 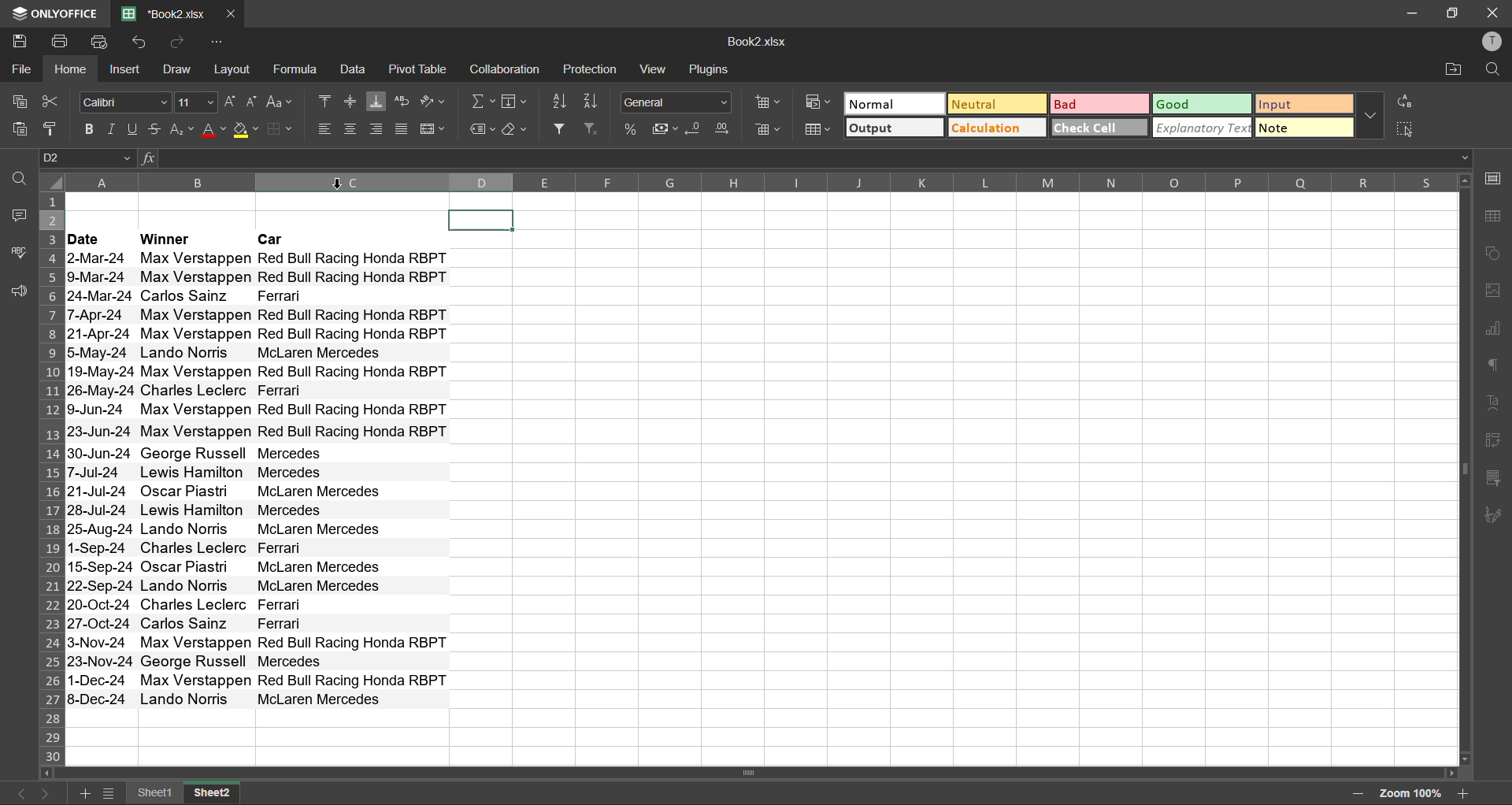 I want to click on D2, so click(x=88, y=160).